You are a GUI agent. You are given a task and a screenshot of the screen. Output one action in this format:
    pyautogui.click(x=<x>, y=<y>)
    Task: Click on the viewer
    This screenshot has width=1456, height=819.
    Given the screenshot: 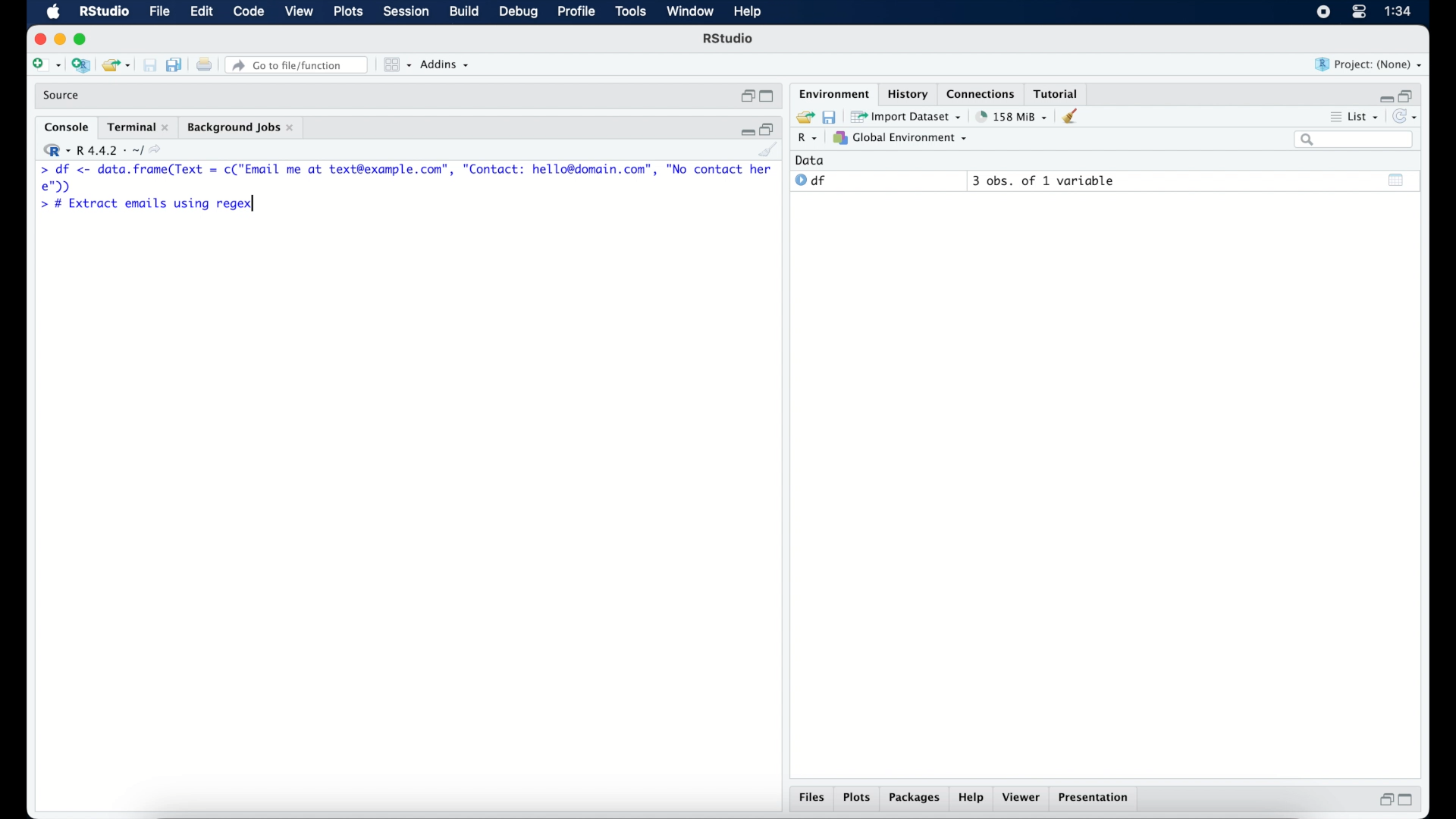 What is the action you would take?
    pyautogui.click(x=1023, y=798)
    